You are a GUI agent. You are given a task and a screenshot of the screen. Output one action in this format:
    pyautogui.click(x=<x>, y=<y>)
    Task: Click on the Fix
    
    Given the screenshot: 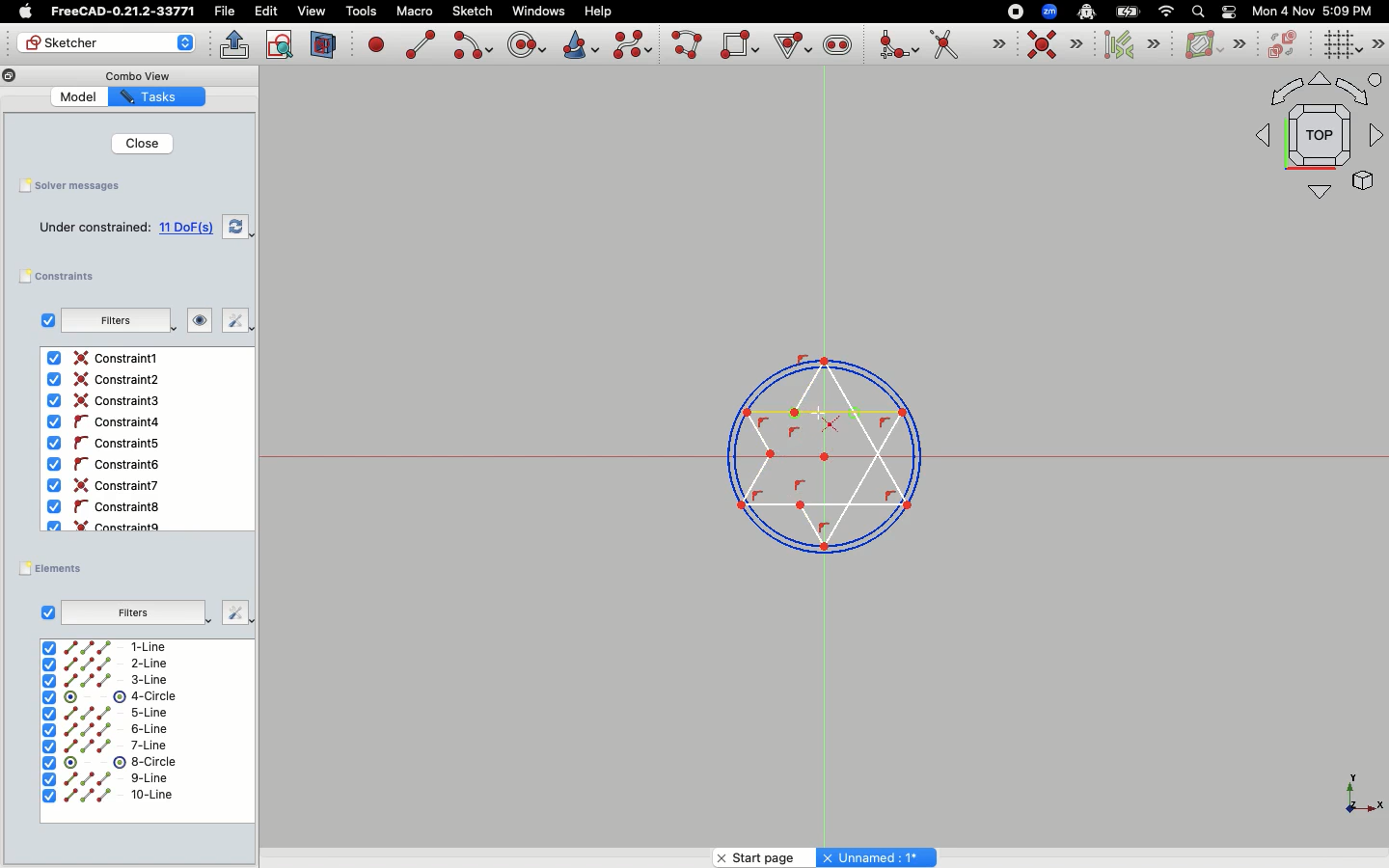 What is the action you would take?
    pyautogui.click(x=231, y=611)
    